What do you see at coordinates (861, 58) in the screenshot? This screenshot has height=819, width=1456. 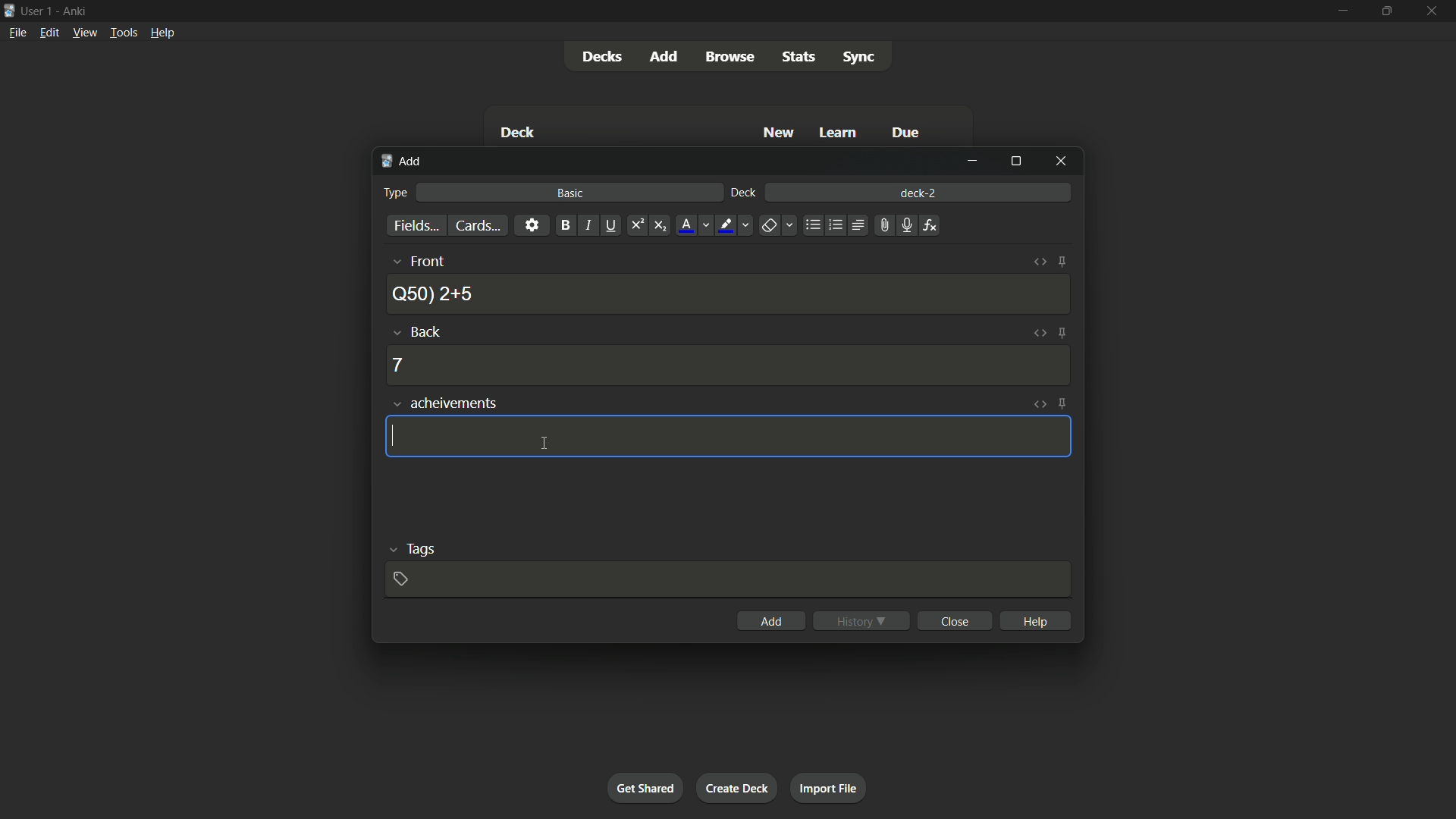 I see `sync` at bounding box center [861, 58].